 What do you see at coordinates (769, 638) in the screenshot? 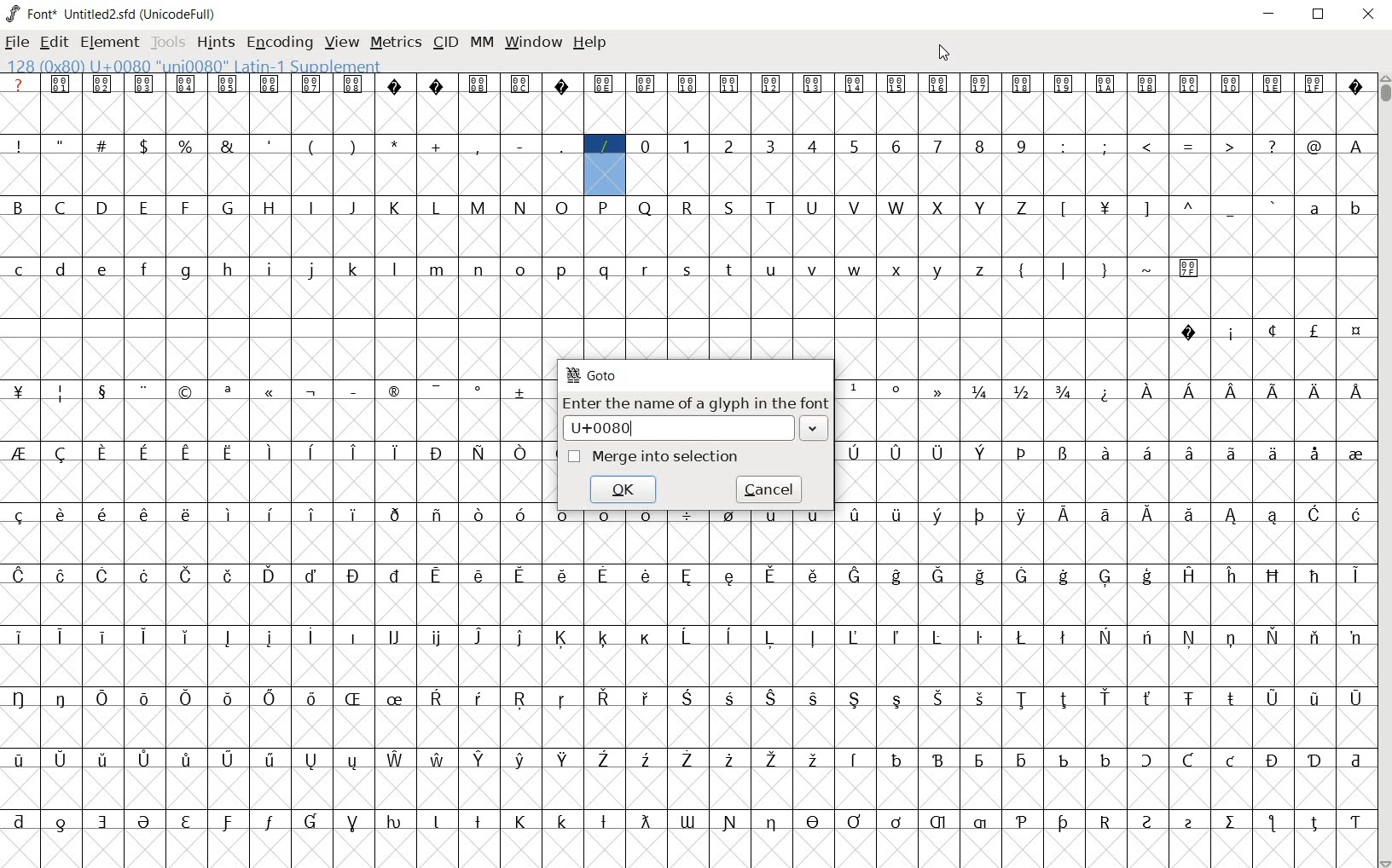
I see `glyph` at bounding box center [769, 638].